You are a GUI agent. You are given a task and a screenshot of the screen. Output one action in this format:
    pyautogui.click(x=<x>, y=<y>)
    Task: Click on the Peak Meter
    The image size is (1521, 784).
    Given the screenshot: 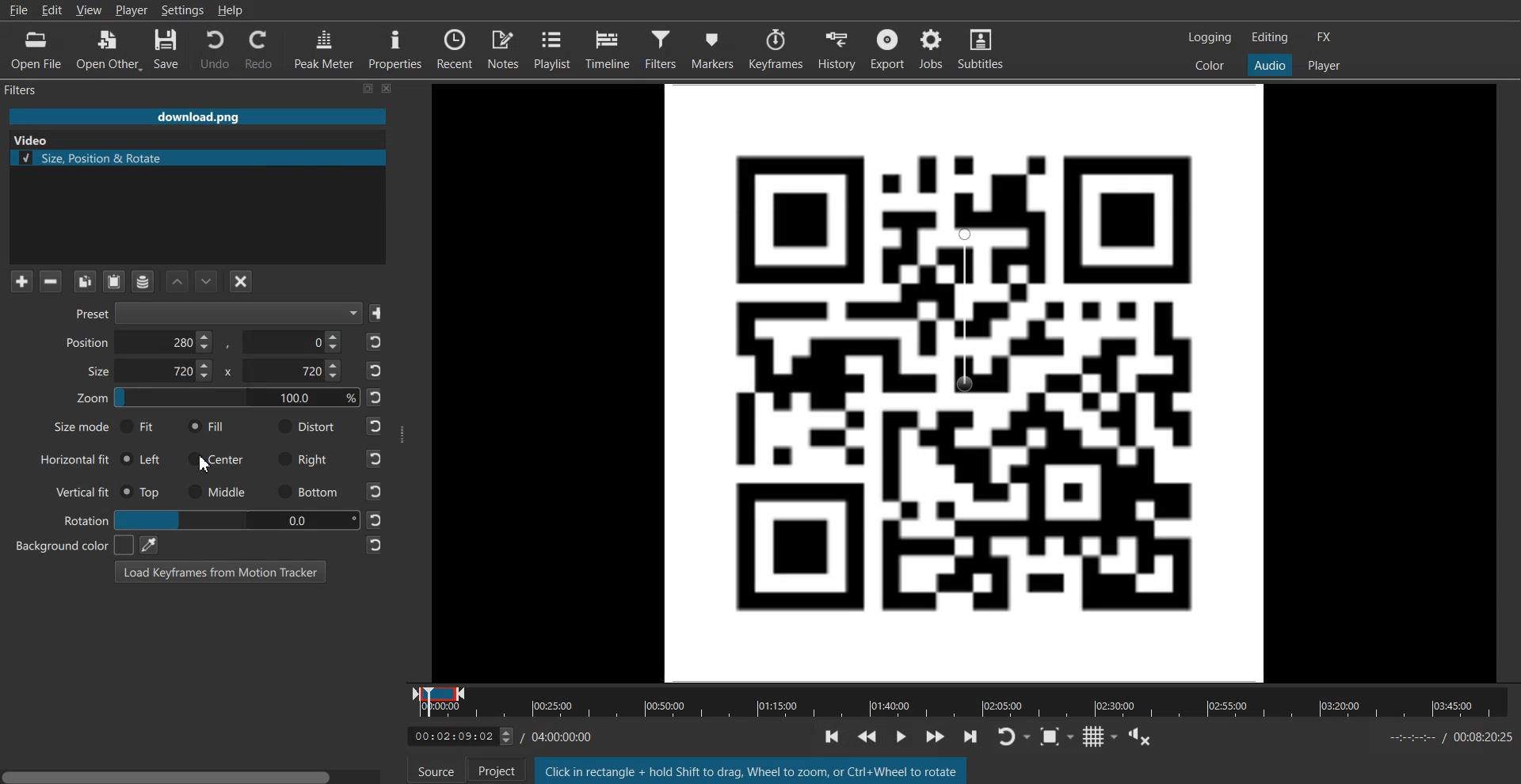 What is the action you would take?
    pyautogui.click(x=322, y=50)
    